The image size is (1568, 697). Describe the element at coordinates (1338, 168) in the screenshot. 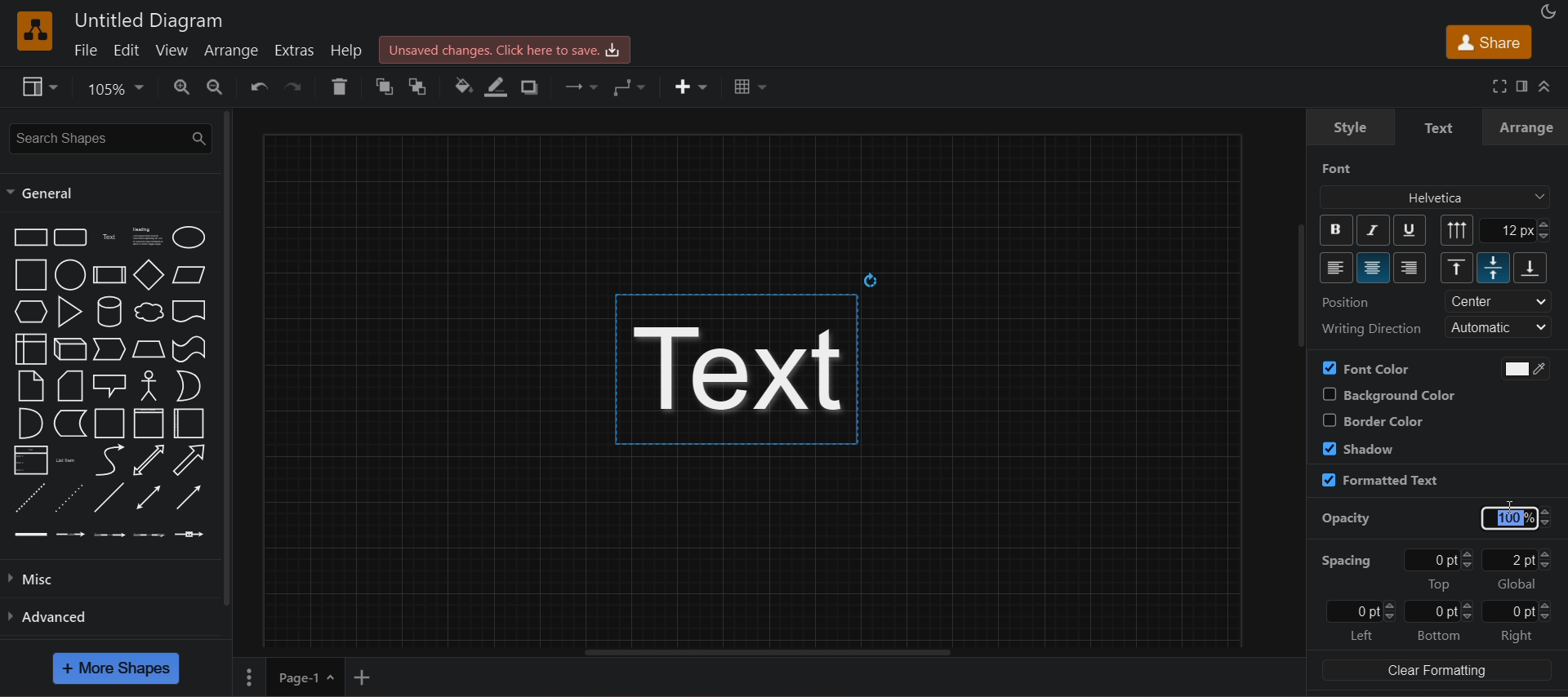

I see `font` at that location.